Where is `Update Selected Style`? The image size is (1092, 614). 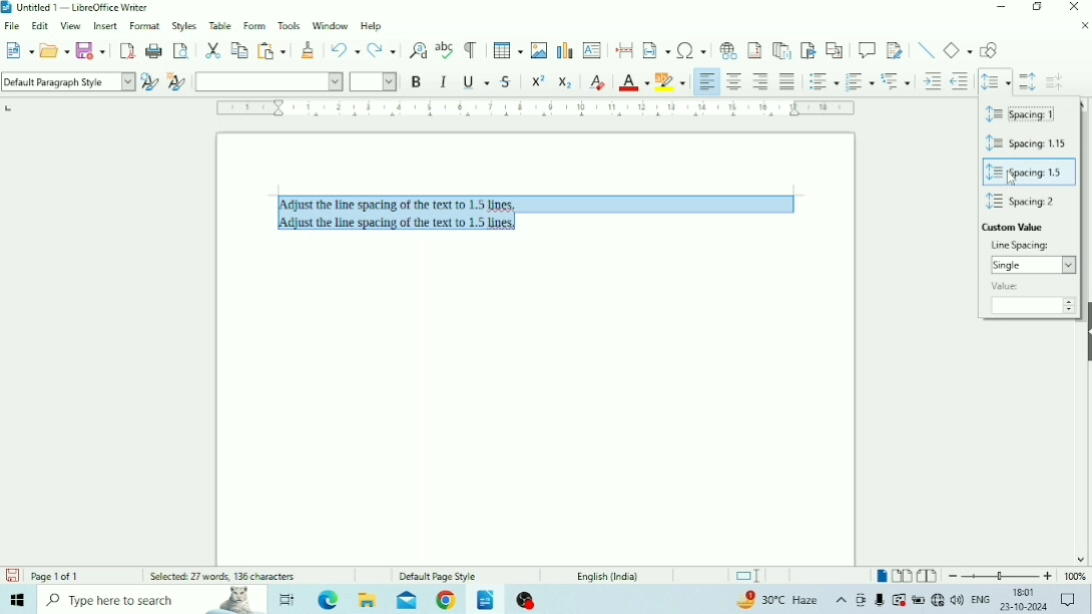
Update Selected Style is located at coordinates (149, 80).